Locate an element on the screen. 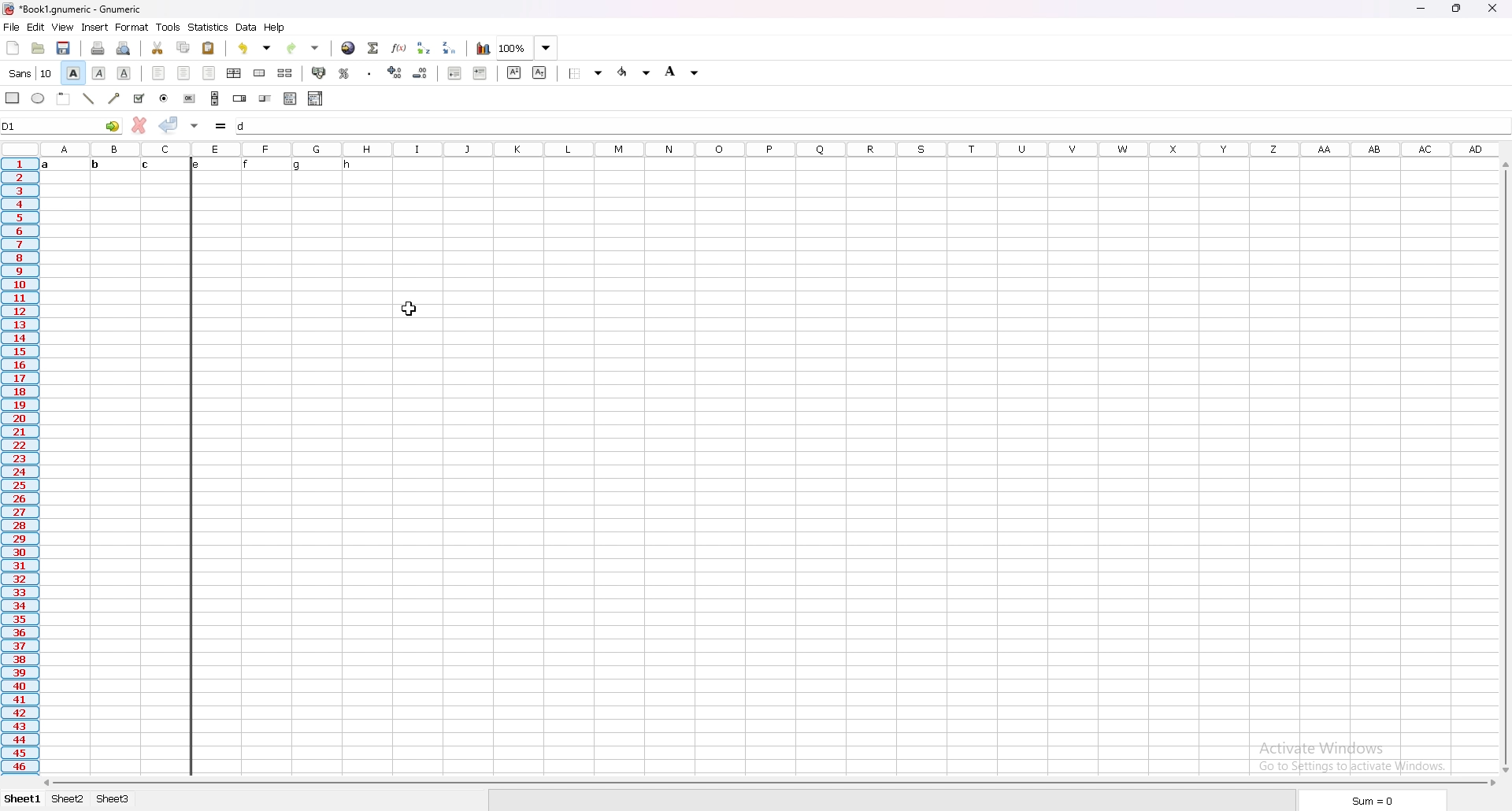 The width and height of the screenshot is (1512, 811). line is located at coordinates (90, 98).